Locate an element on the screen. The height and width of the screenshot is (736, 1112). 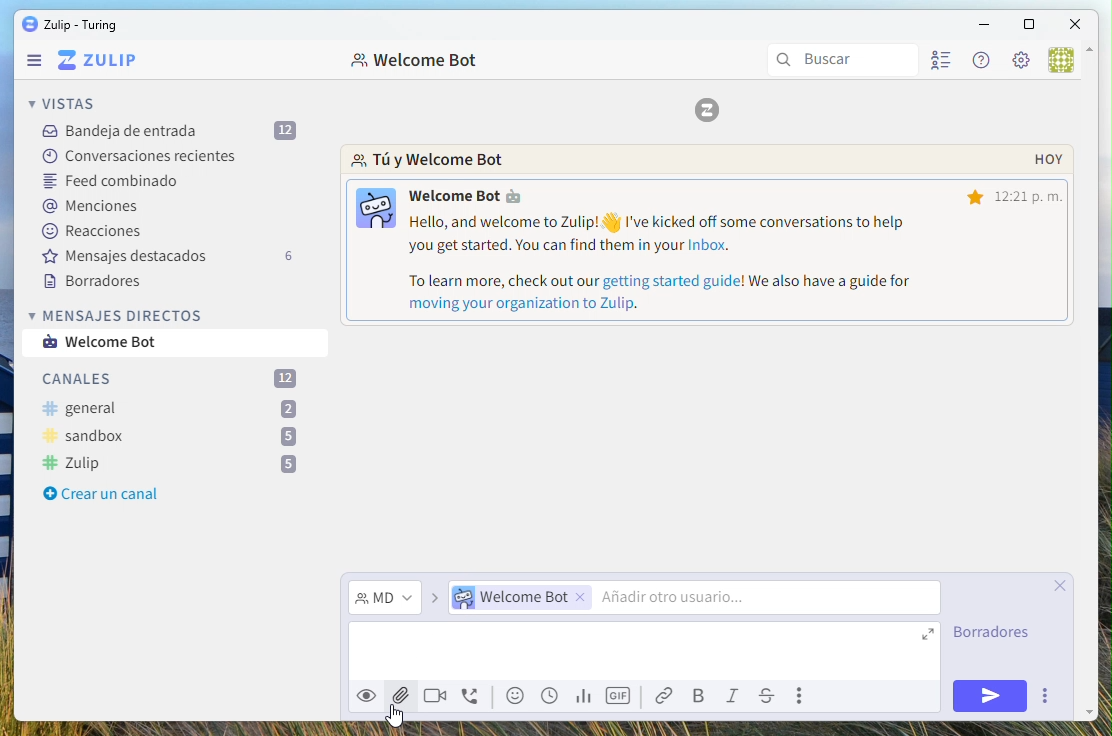
Settings is located at coordinates (1020, 62).